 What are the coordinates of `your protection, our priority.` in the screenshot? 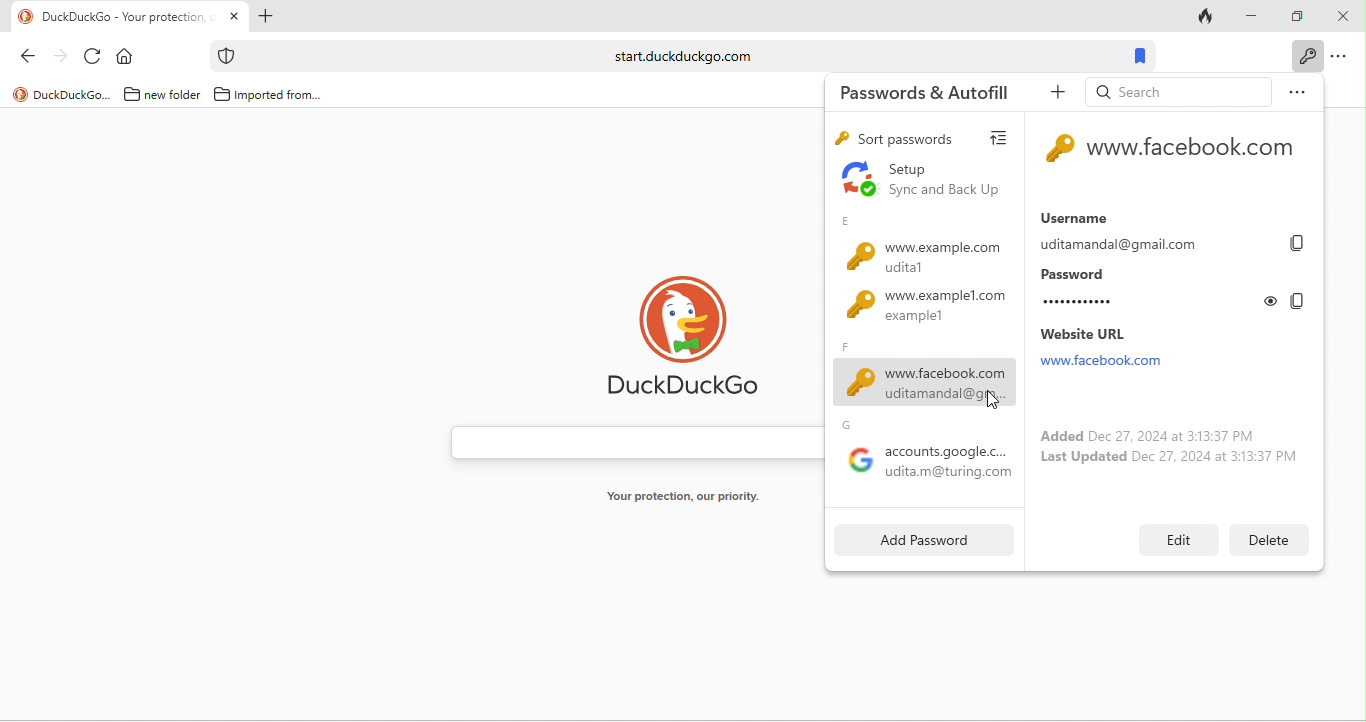 It's located at (692, 497).